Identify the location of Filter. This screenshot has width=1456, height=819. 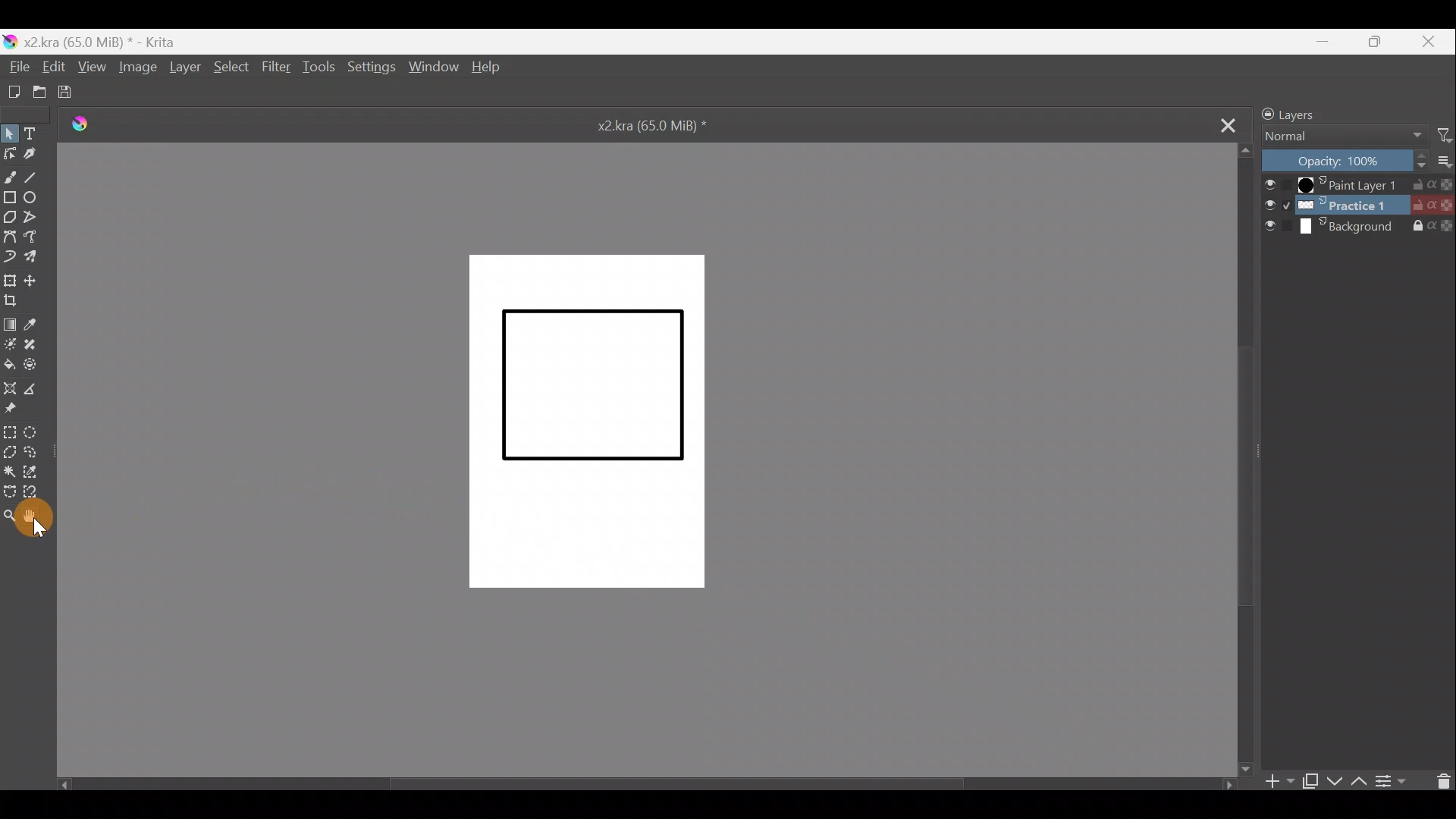
(275, 68).